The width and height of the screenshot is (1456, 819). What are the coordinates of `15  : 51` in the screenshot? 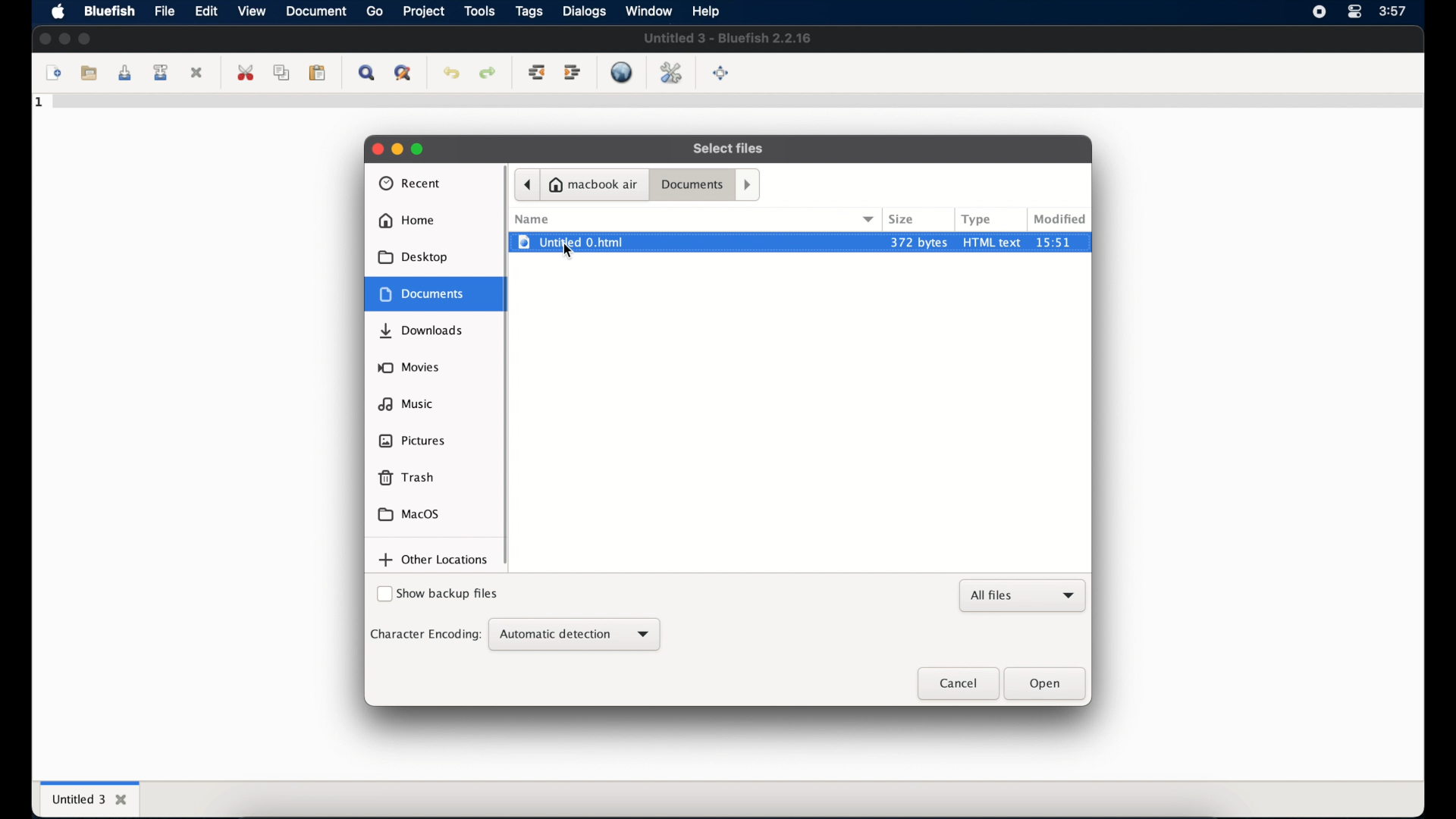 It's located at (1062, 242).